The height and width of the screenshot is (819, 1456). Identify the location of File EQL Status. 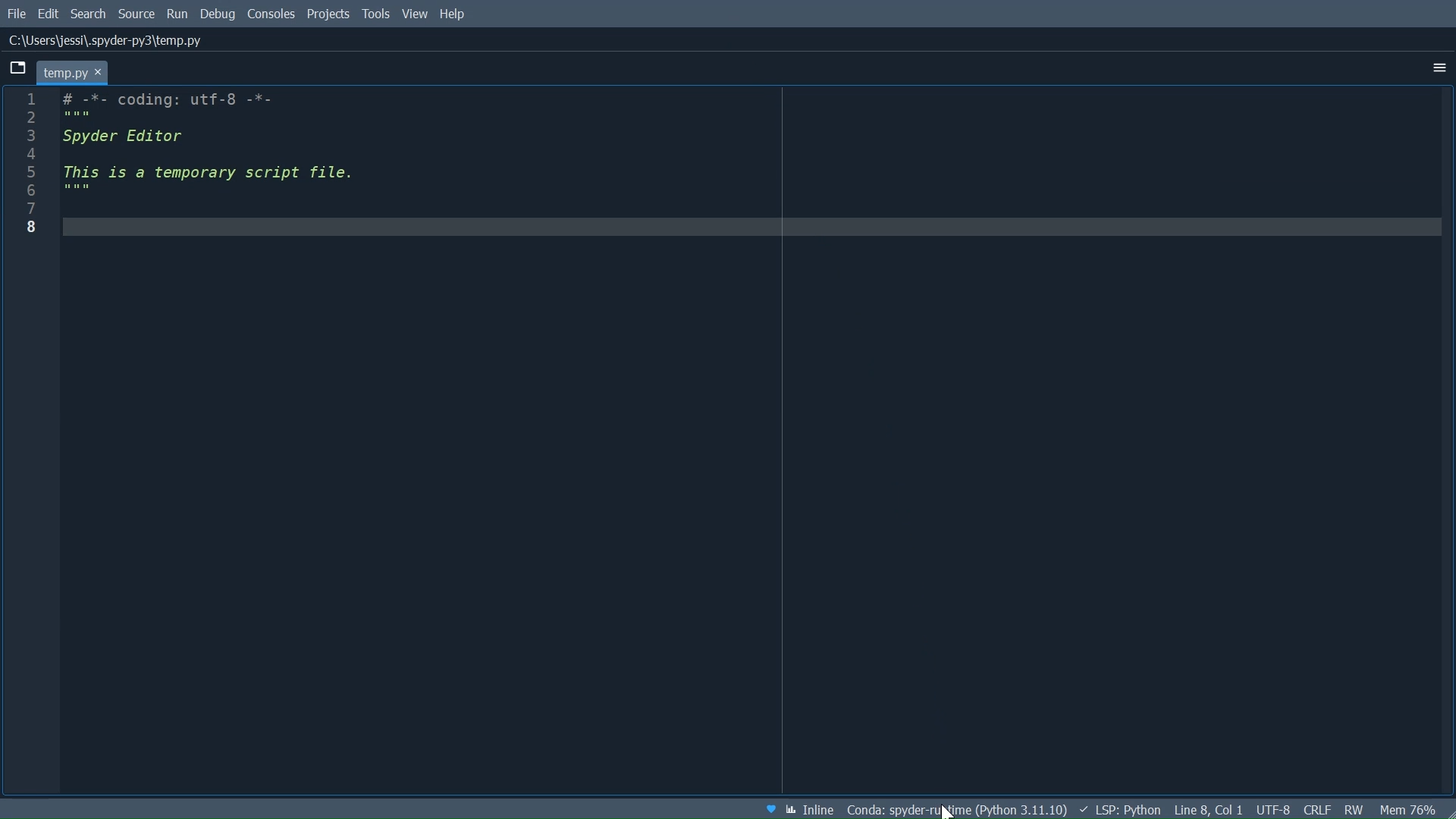
(1317, 808).